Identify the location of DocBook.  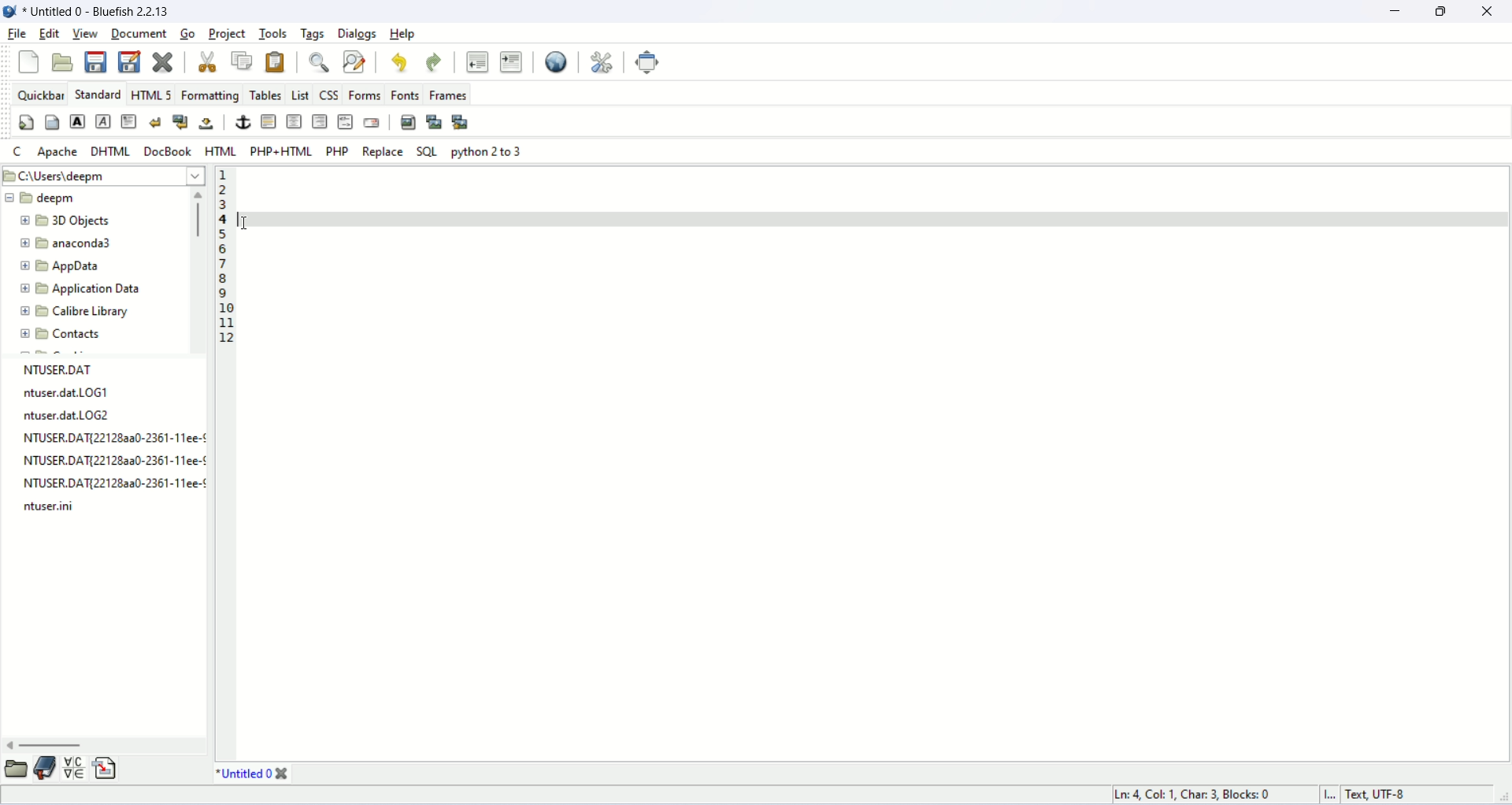
(167, 151).